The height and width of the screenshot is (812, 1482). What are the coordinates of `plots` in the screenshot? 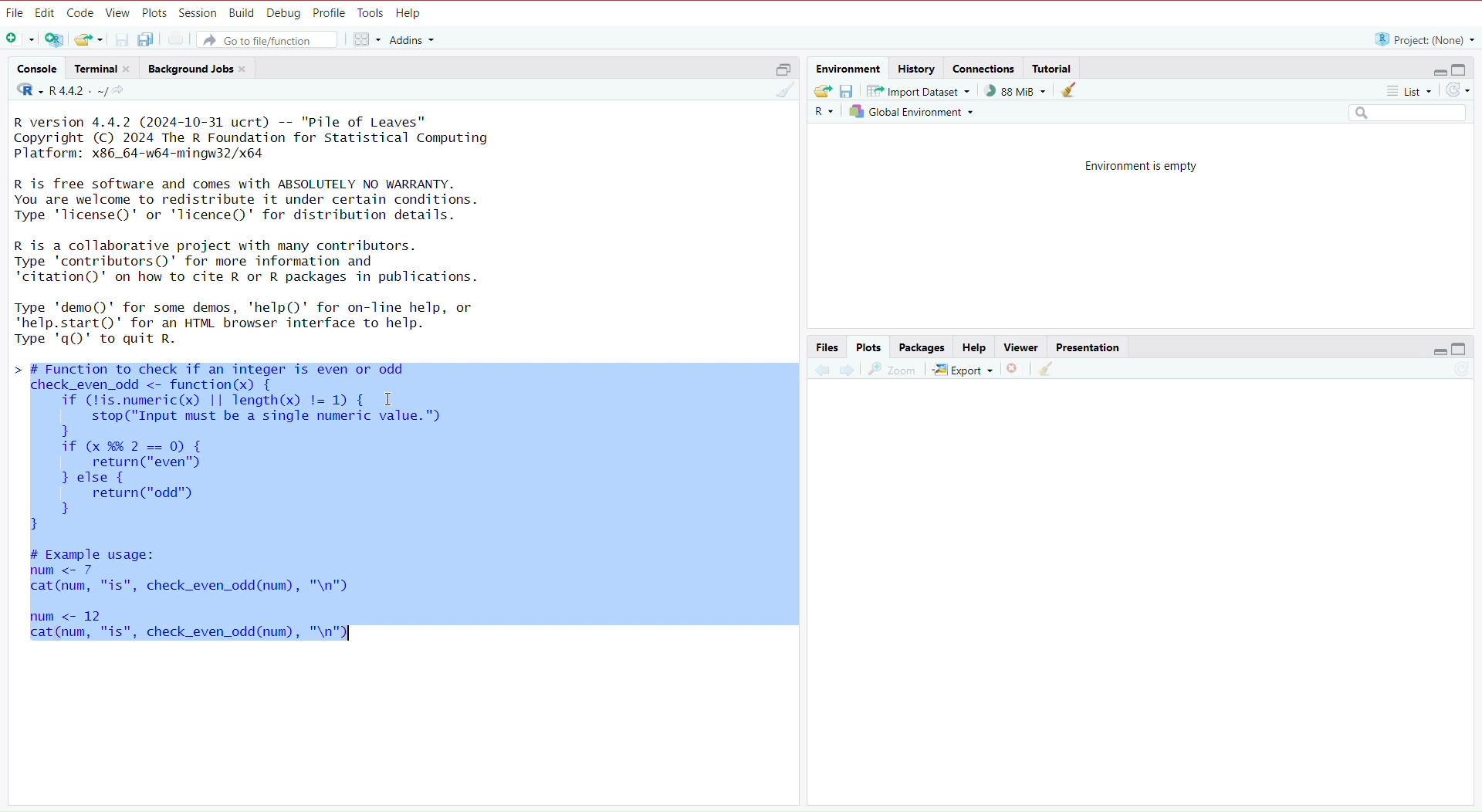 It's located at (869, 347).